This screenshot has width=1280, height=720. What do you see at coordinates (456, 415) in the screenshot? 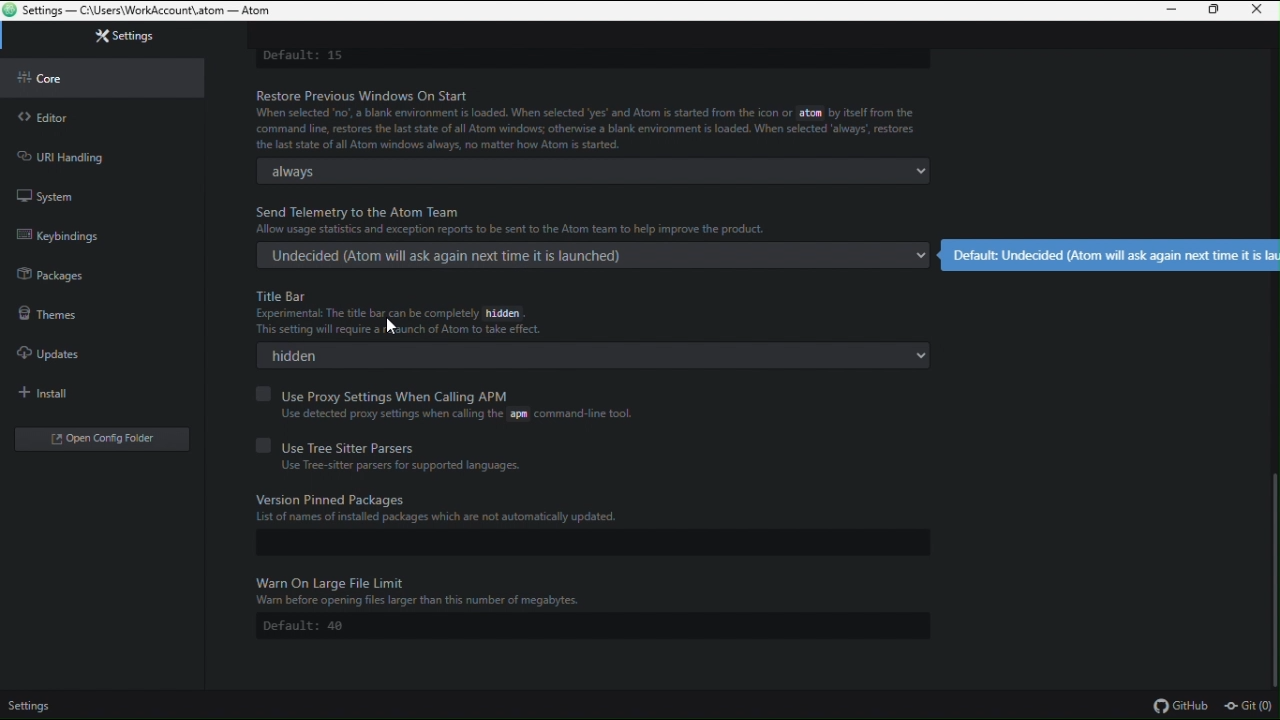
I see `Use detected proxy settings when calling the apm command-line tool.` at bounding box center [456, 415].